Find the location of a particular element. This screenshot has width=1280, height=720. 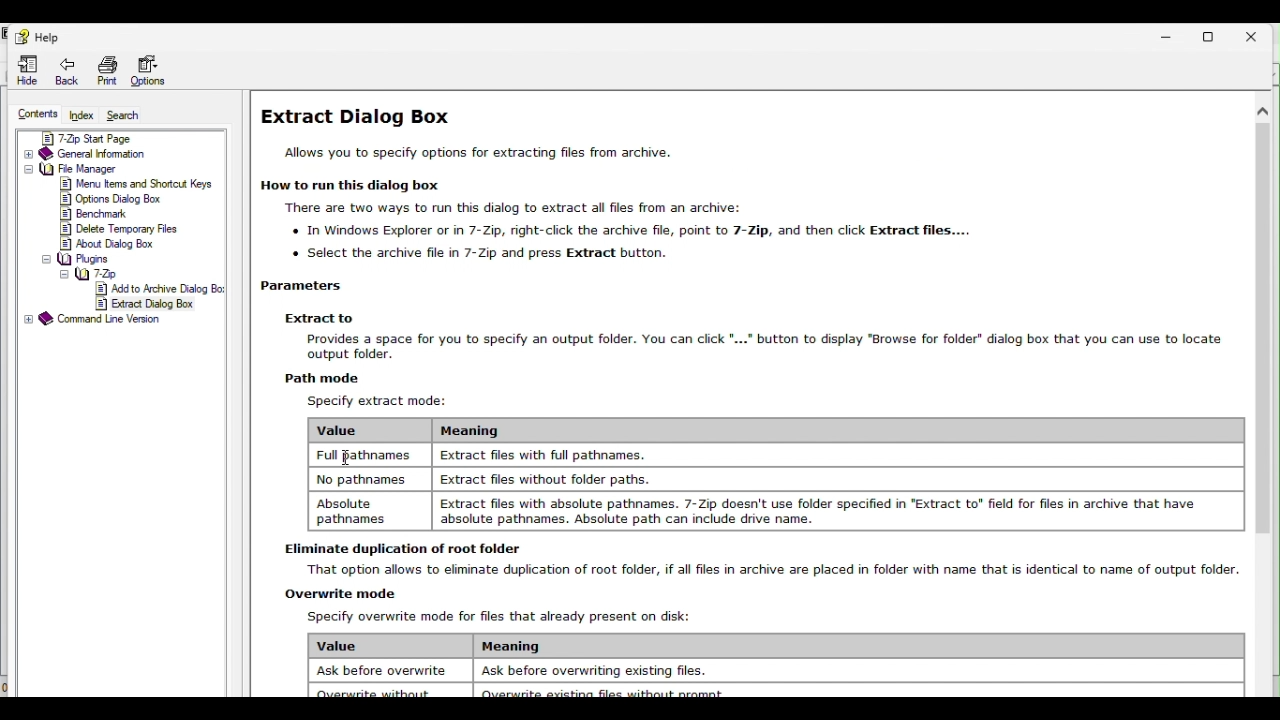

overwrite model is located at coordinates (340, 593).